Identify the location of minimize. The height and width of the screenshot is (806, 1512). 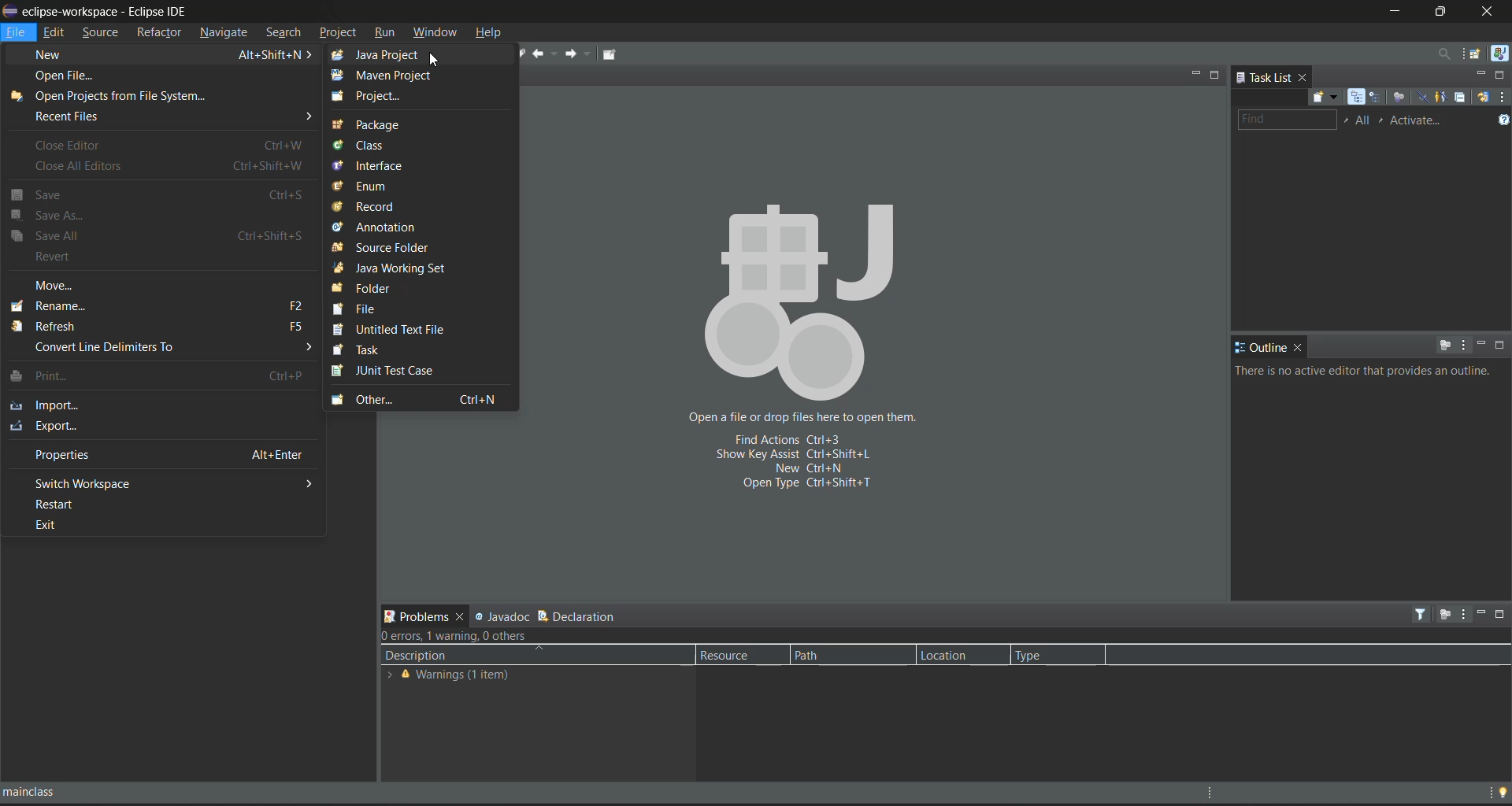
(1393, 13).